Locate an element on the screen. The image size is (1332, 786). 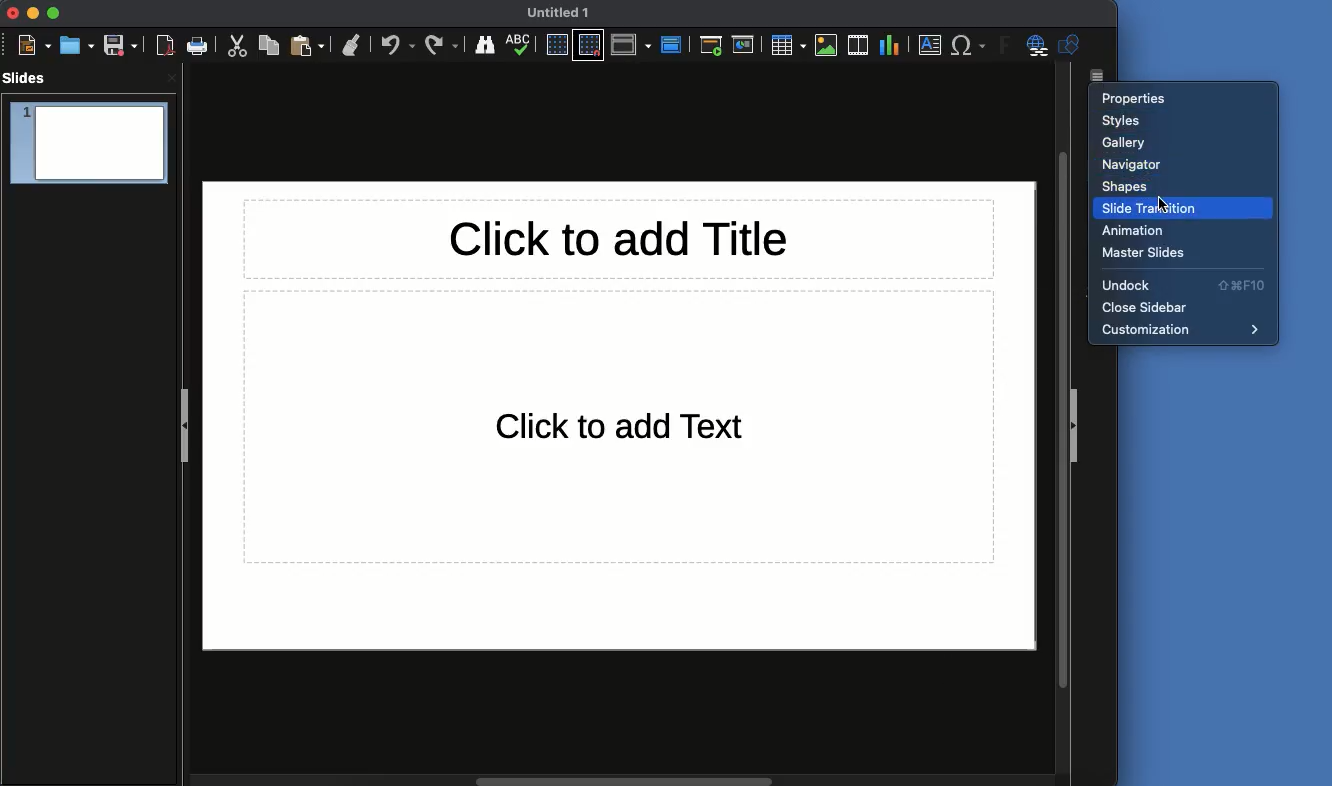
cursor is located at coordinates (1171, 195).